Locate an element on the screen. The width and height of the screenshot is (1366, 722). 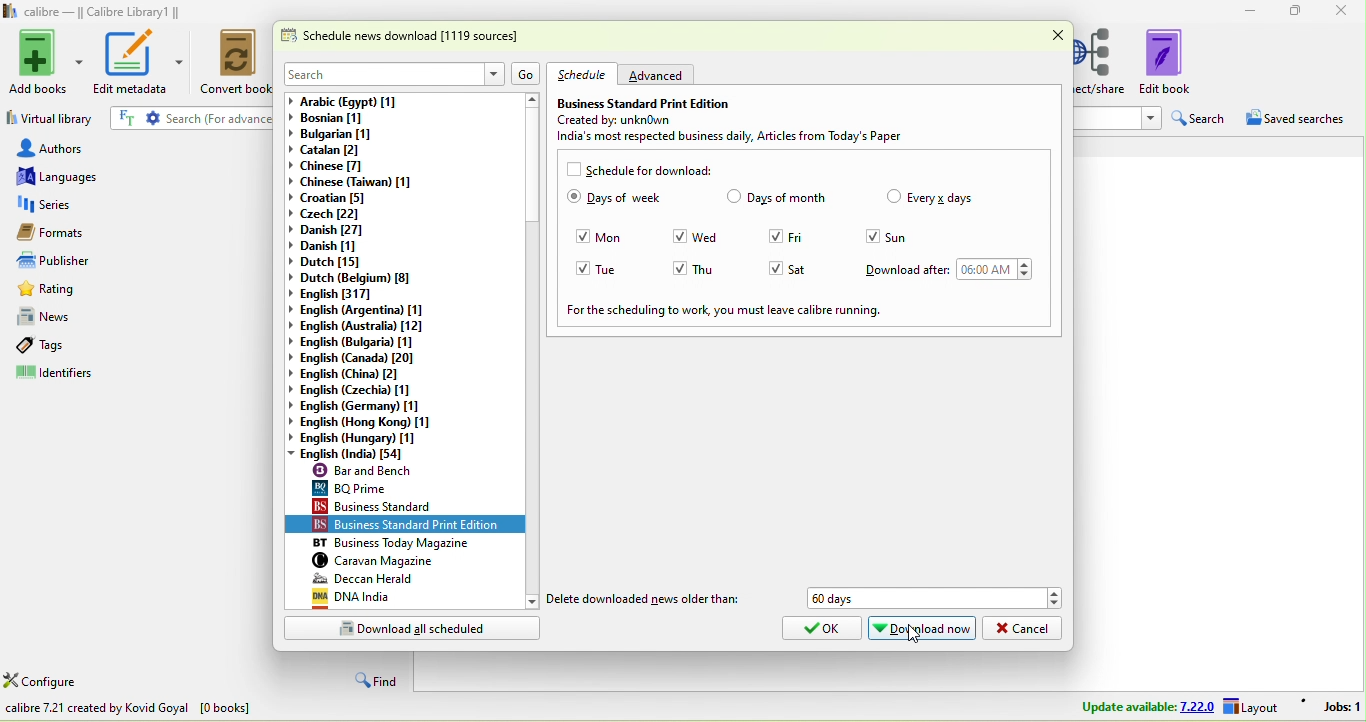
authors is located at coordinates (140, 146).